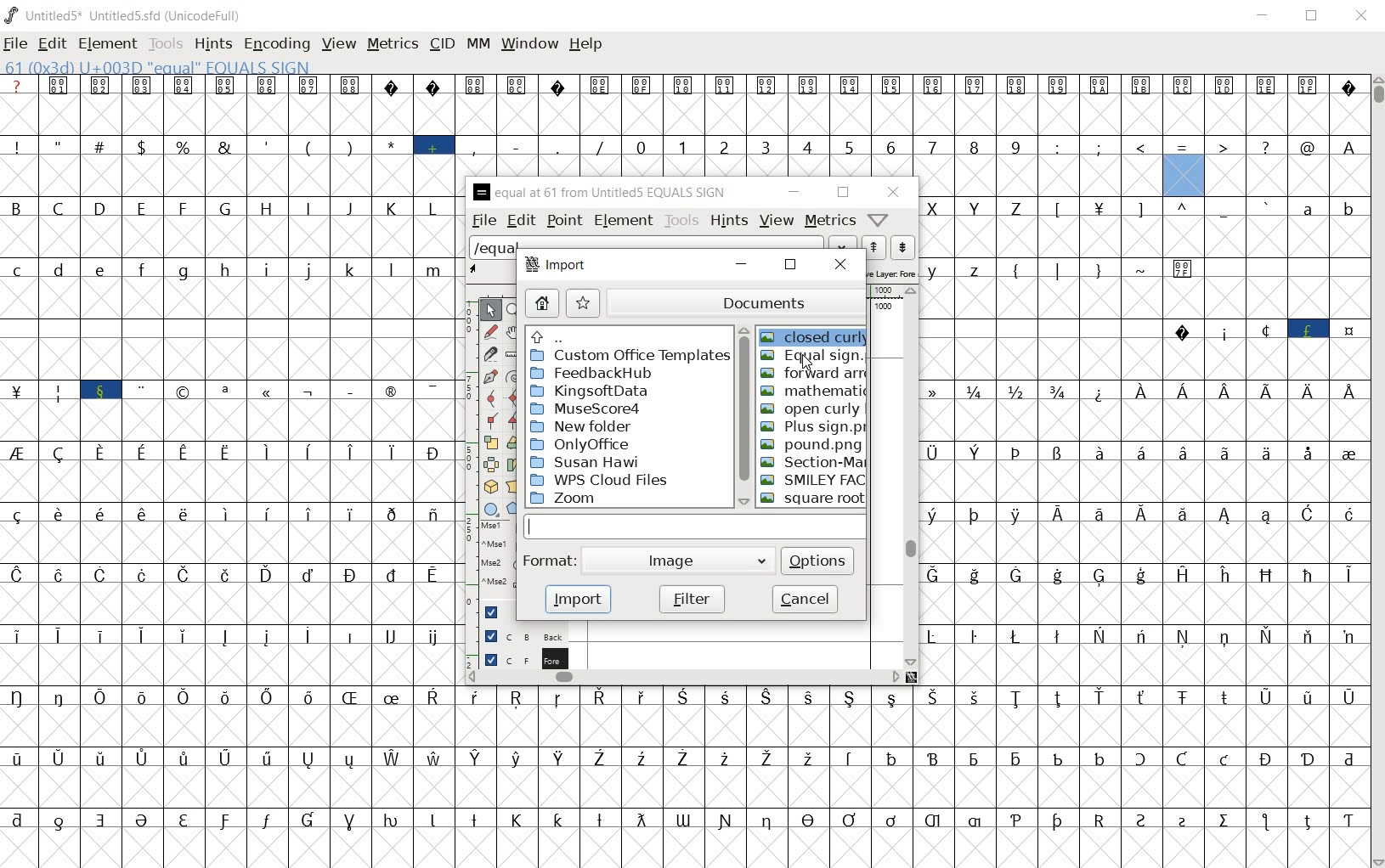 The width and height of the screenshot is (1385, 868). Describe the element at coordinates (812, 499) in the screenshot. I see `SQUARE ROOT` at that location.